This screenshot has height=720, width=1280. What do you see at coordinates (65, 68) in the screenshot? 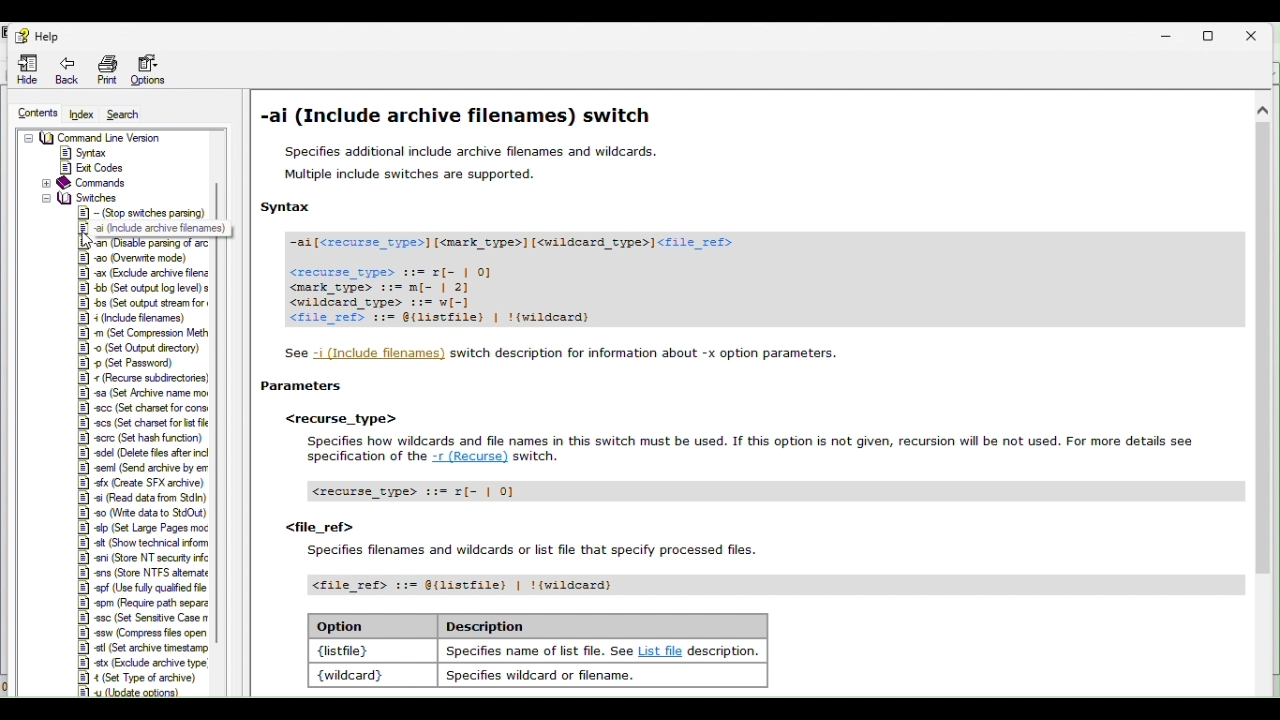
I see `Back` at bounding box center [65, 68].